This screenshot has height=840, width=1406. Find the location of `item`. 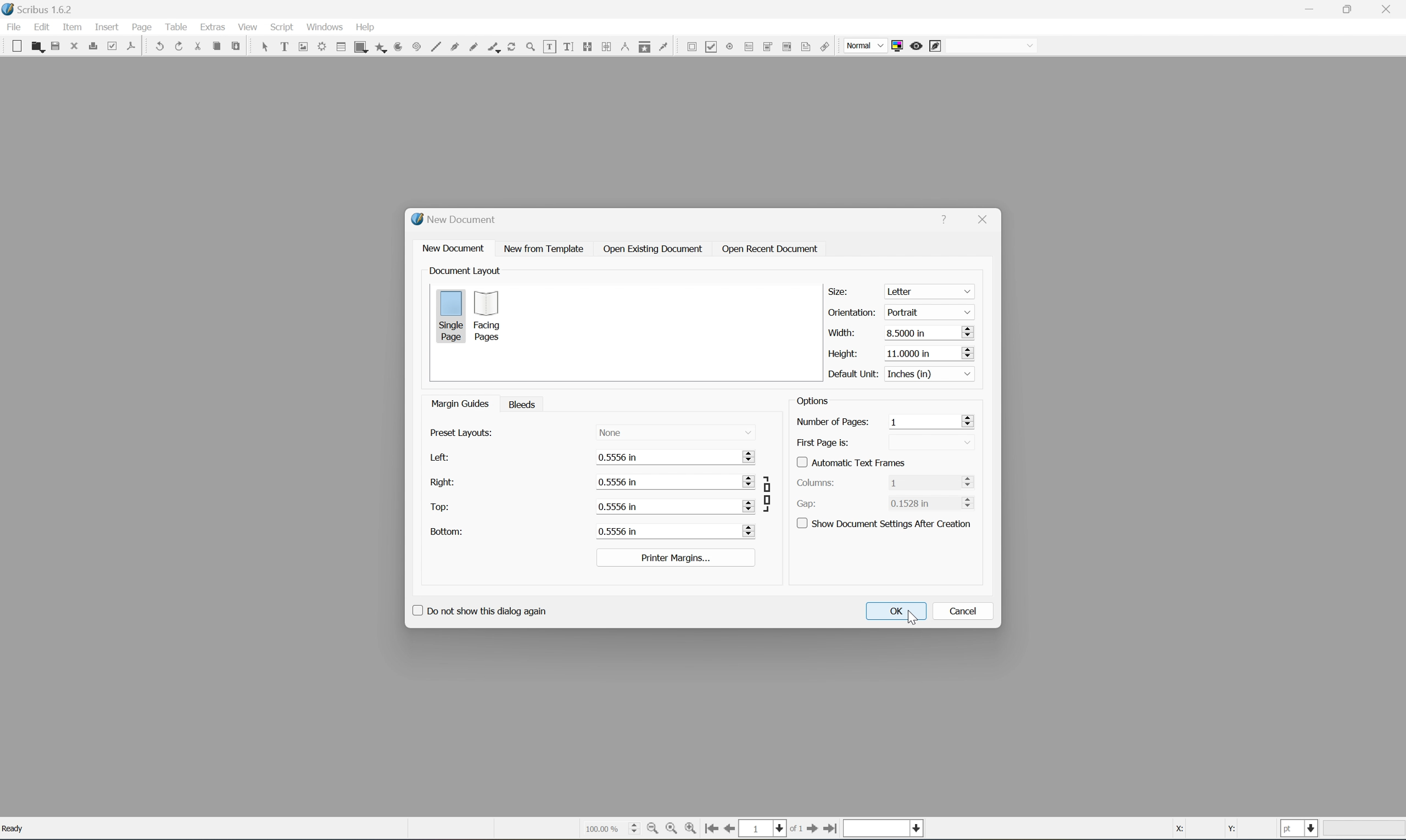

item is located at coordinates (74, 26).